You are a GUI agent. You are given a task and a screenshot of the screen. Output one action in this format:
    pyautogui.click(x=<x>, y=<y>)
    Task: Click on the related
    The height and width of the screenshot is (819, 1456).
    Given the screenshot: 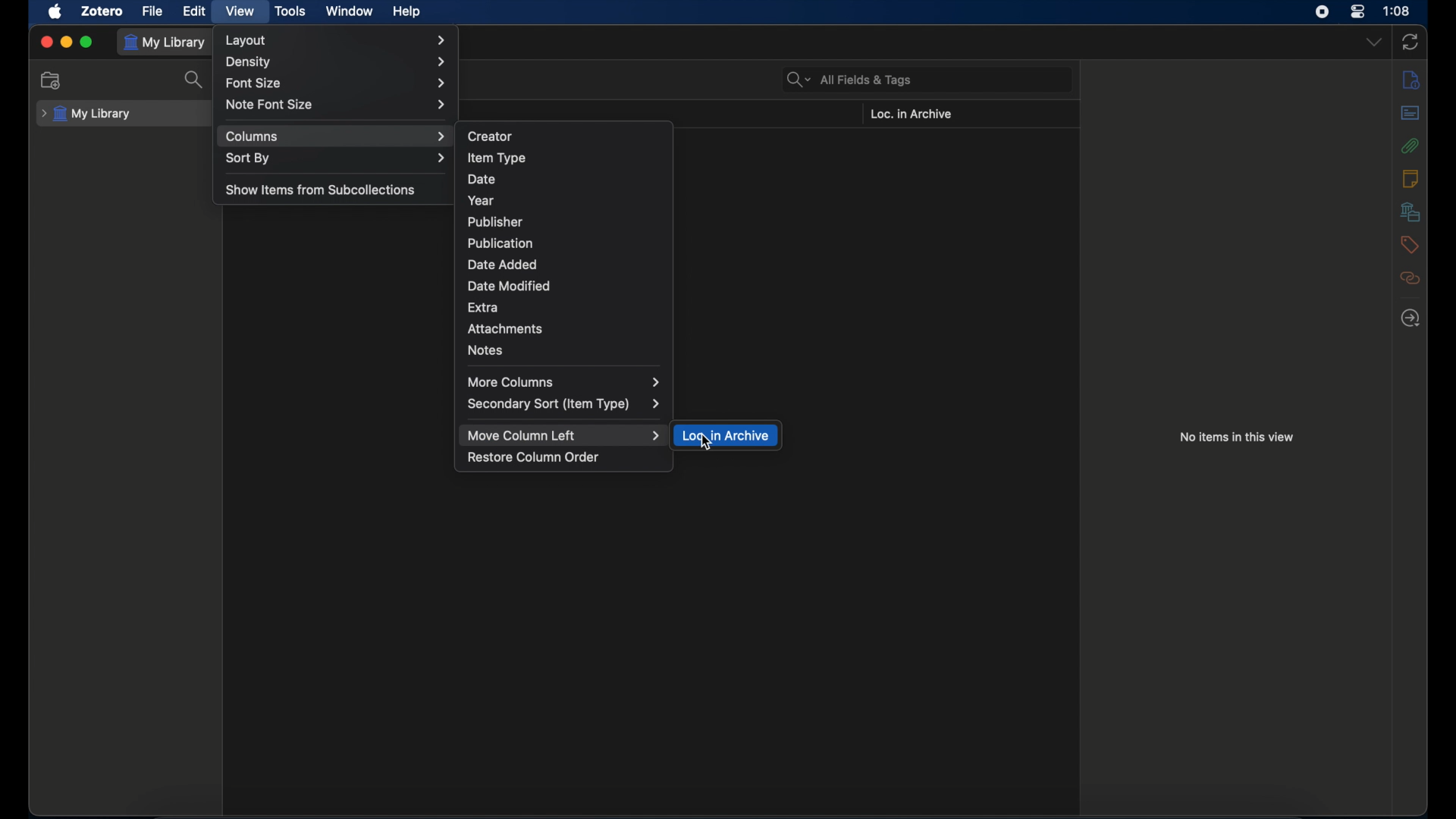 What is the action you would take?
    pyautogui.click(x=1411, y=278)
    